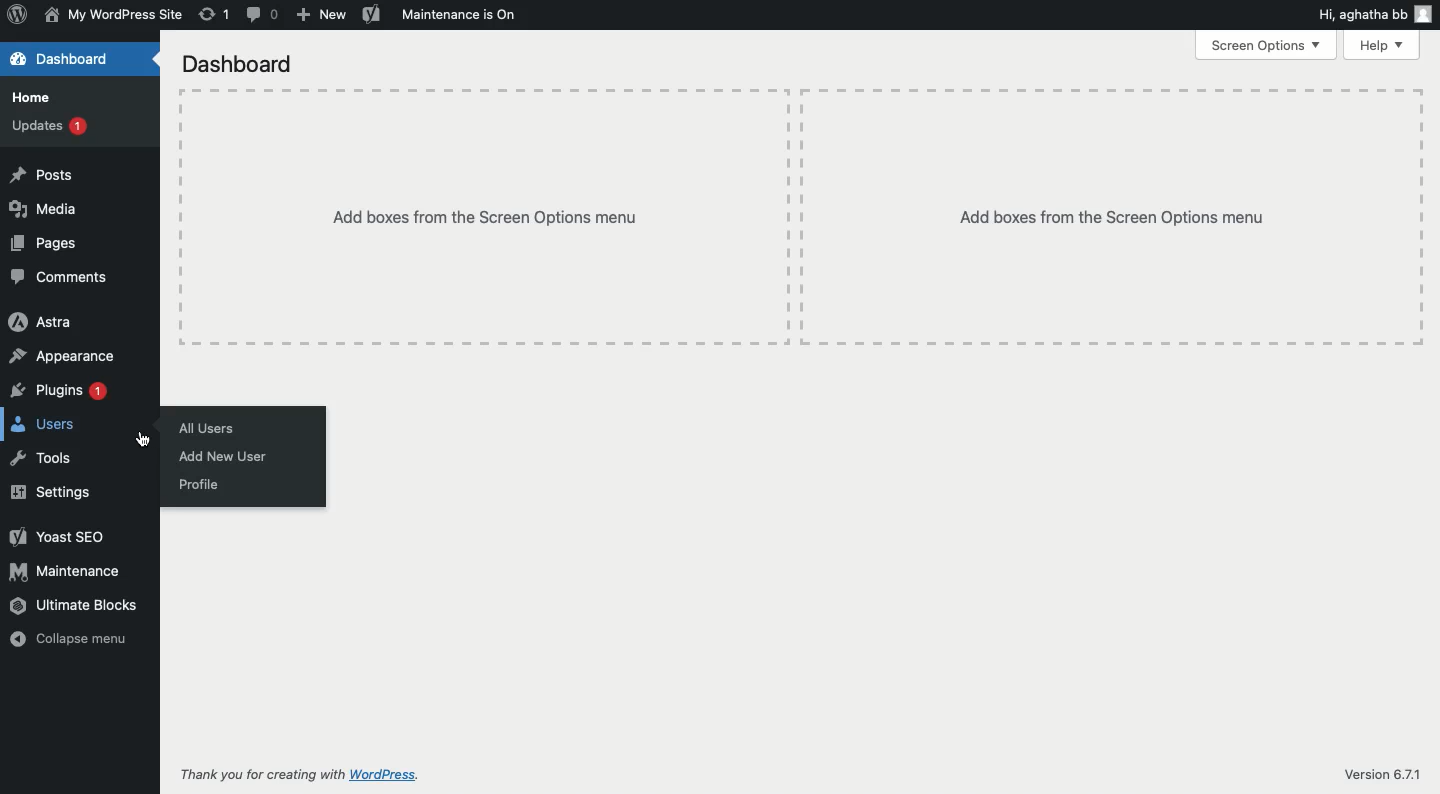 The image size is (1440, 794). Describe the element at coordinates (68, 640) in the screenshot. I see `Collapse menu` at that location.